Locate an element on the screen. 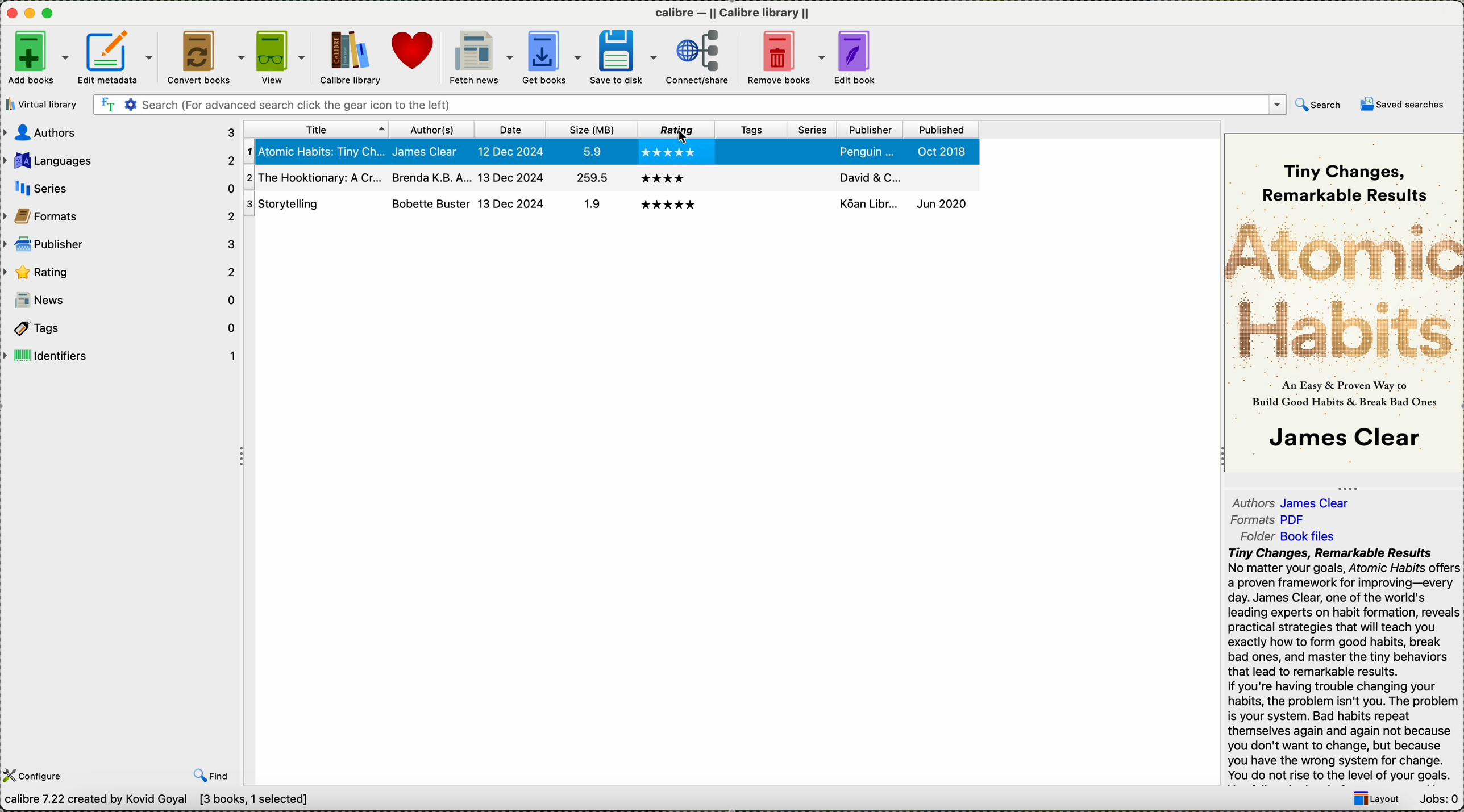 The height and width of the screenshot is (812, 1464). jun 2020 is located at coordinates (942, 202).